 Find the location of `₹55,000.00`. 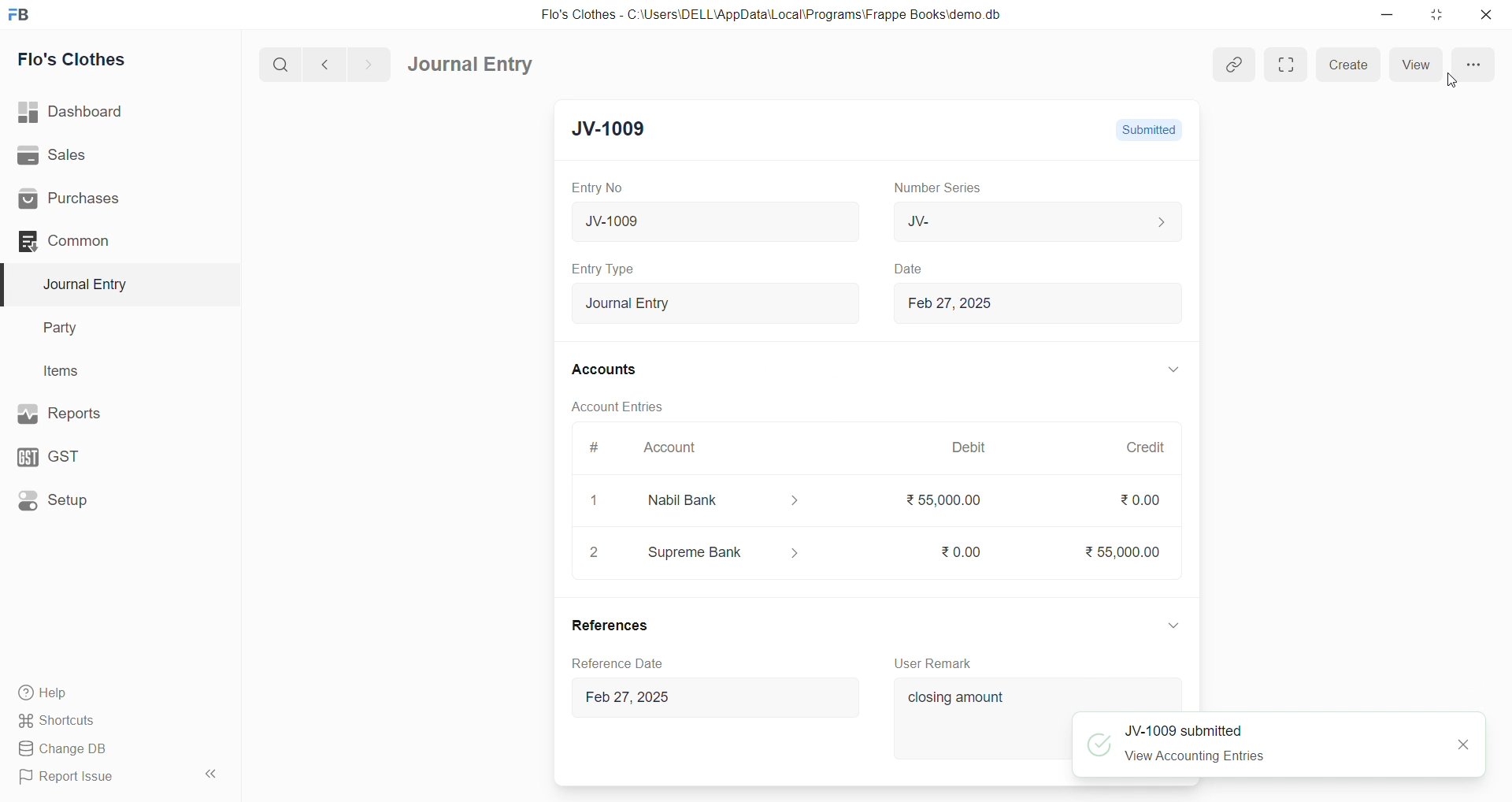

₹55,000.00 is located at coordinates (1118, 553).